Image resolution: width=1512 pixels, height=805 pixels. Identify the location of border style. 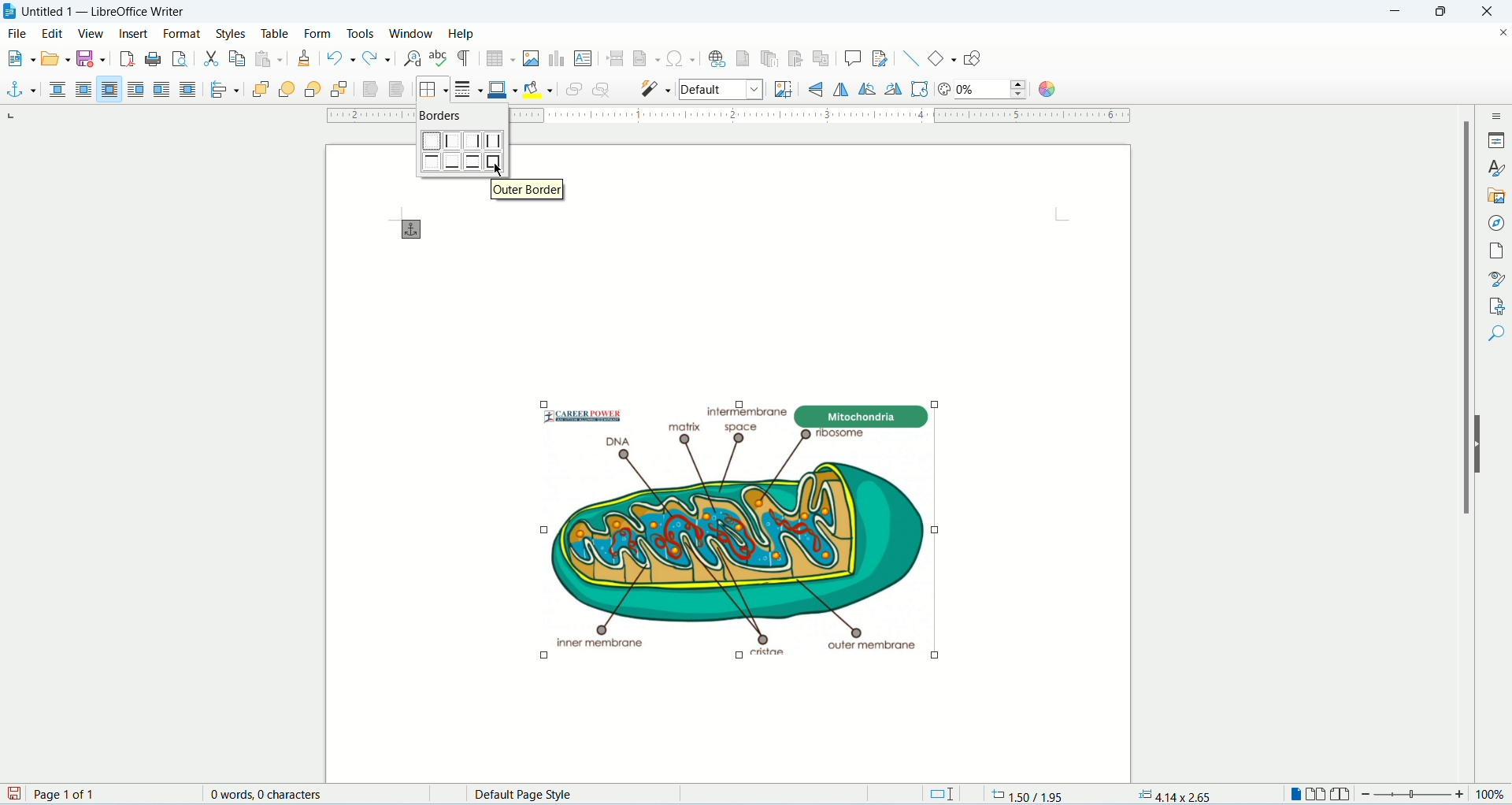
(468, 88).